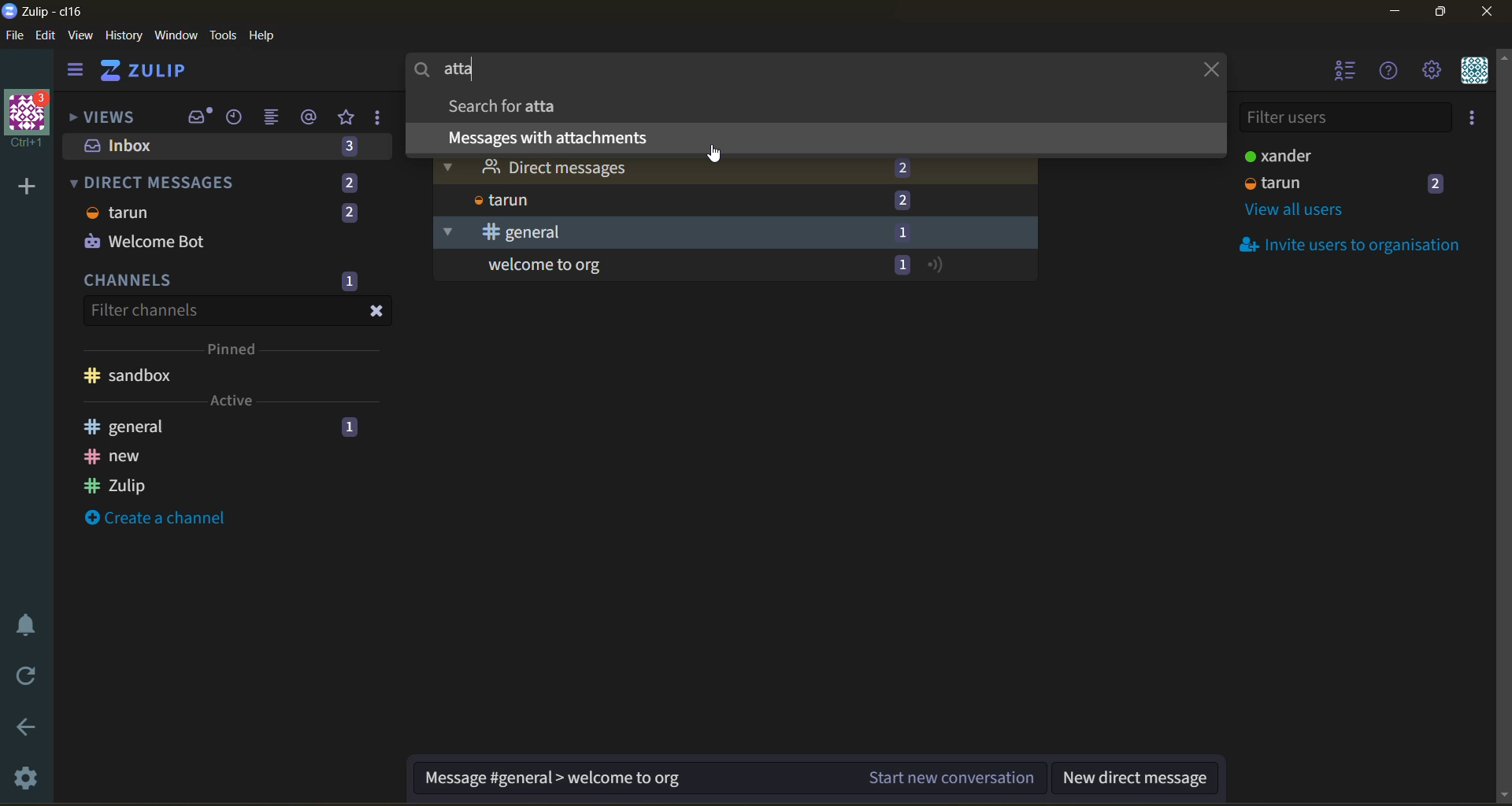  What do you see at coordinates (263, 35) in the screenshot?
I see `help` at bounding box center [263, 35].